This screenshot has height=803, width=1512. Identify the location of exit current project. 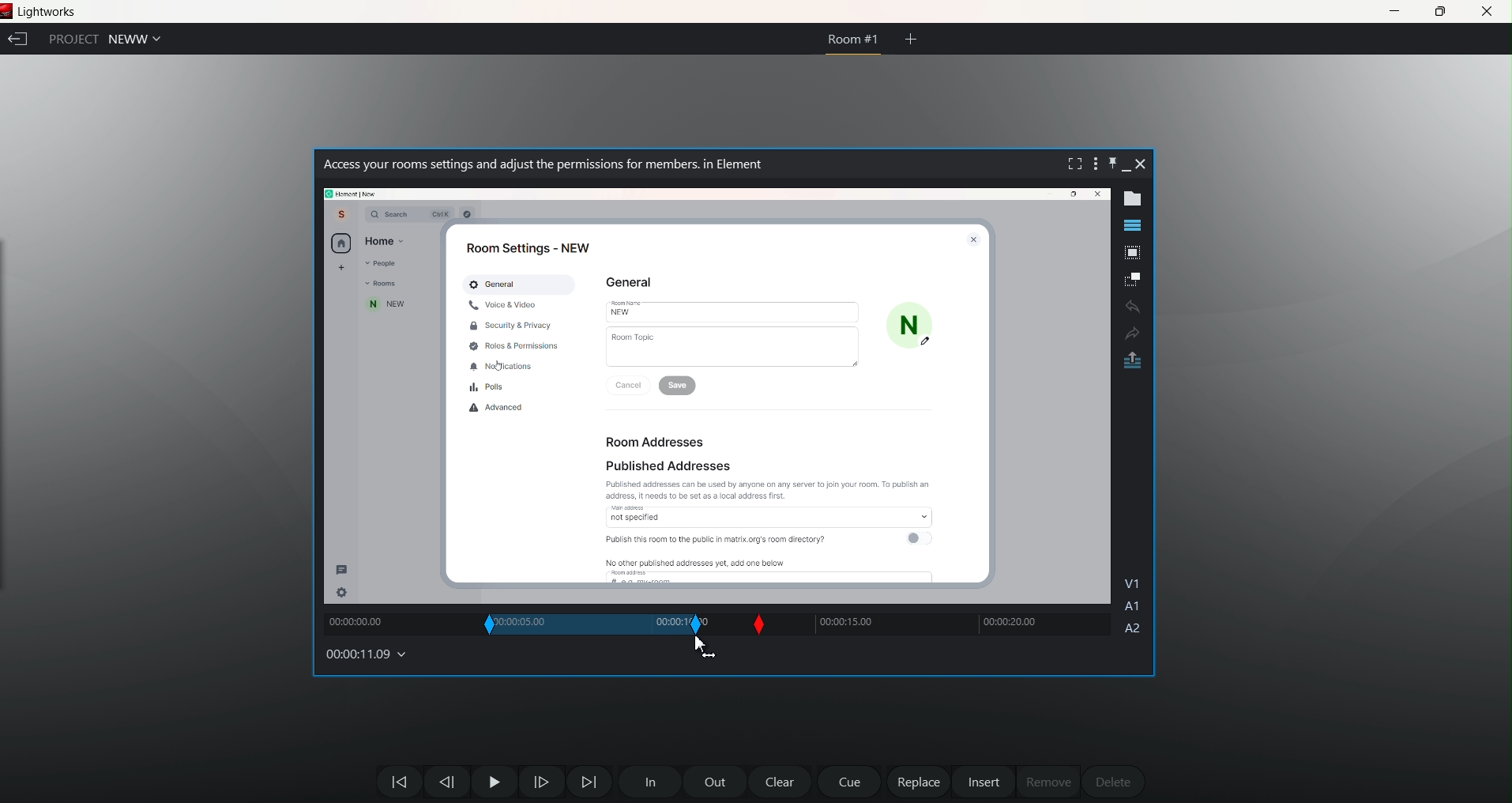
(18, 40).